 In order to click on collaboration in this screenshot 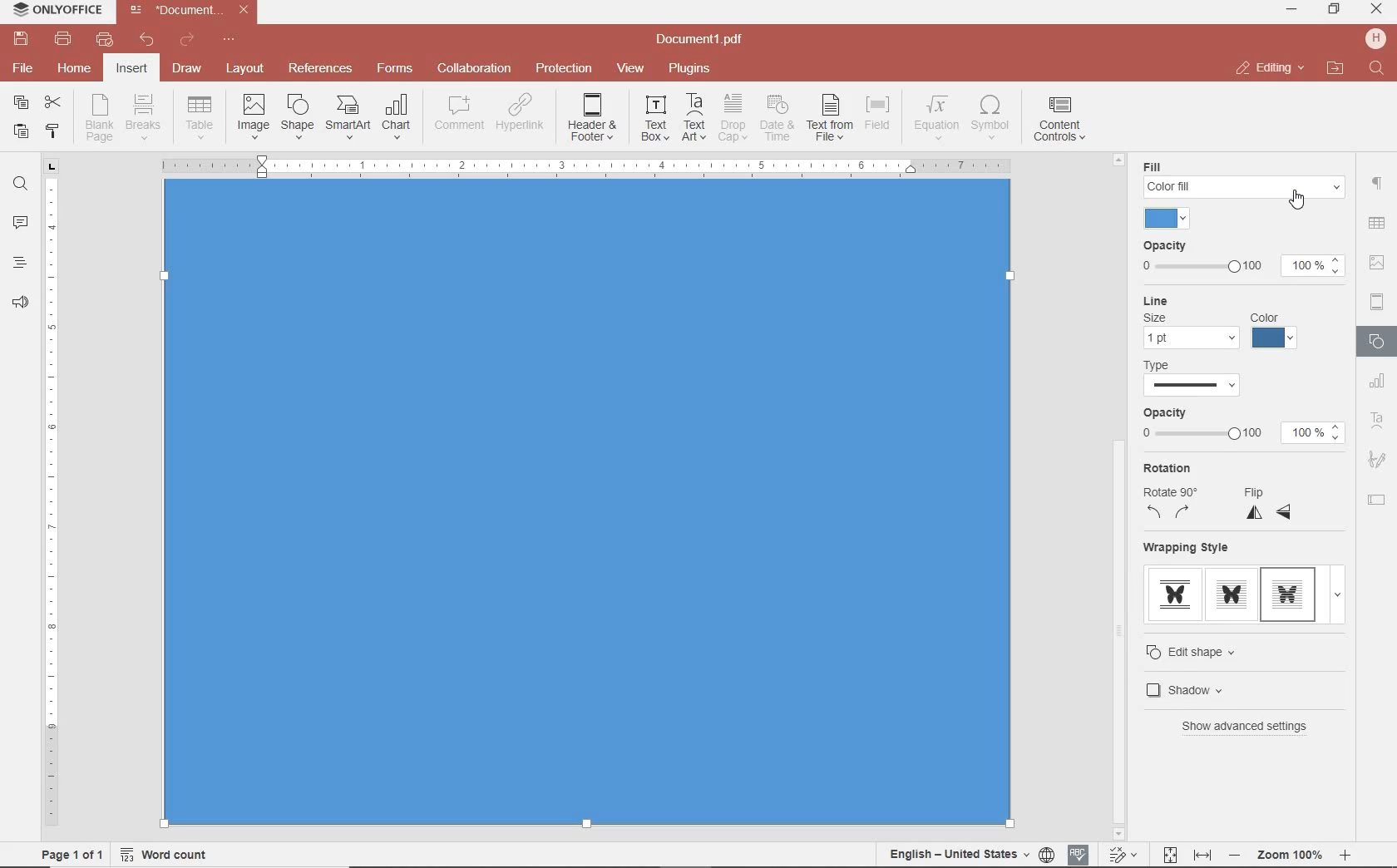, I will do `click(474, 69)`.